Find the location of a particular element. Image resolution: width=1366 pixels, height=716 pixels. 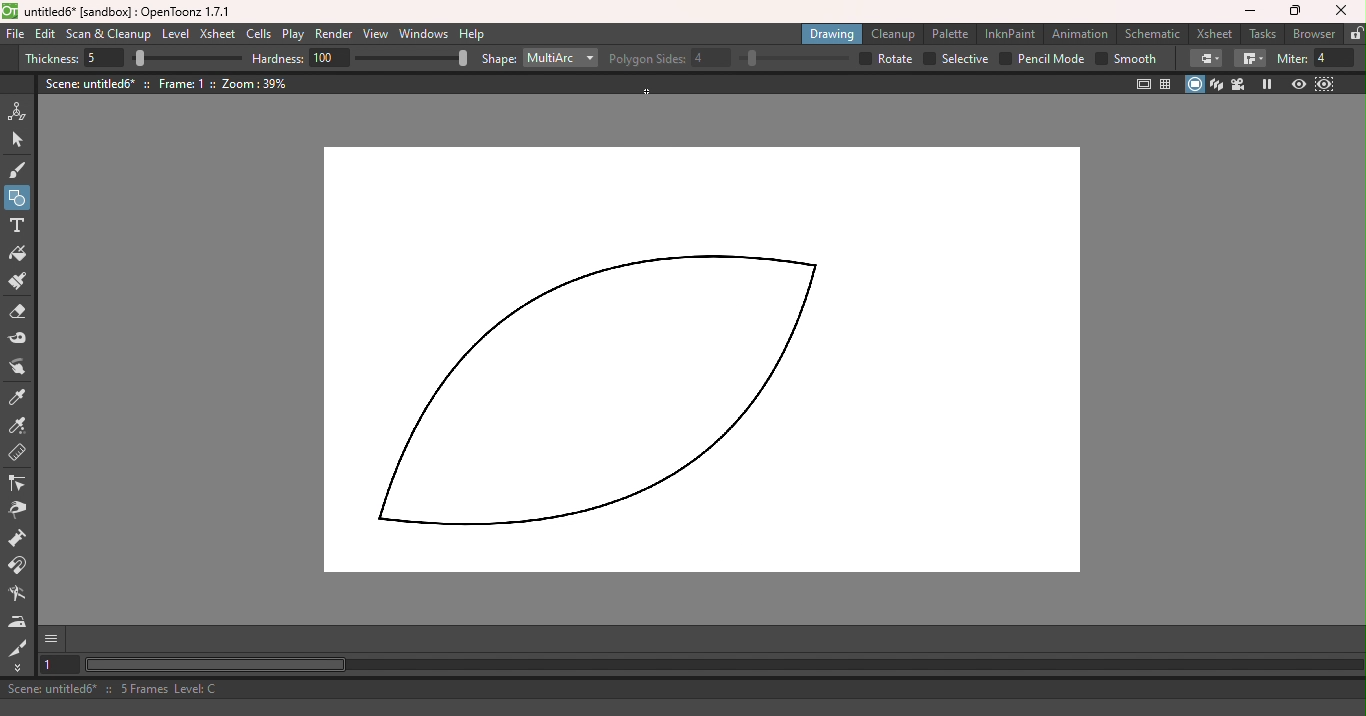

Preview is located at coordinates (1298, 85).